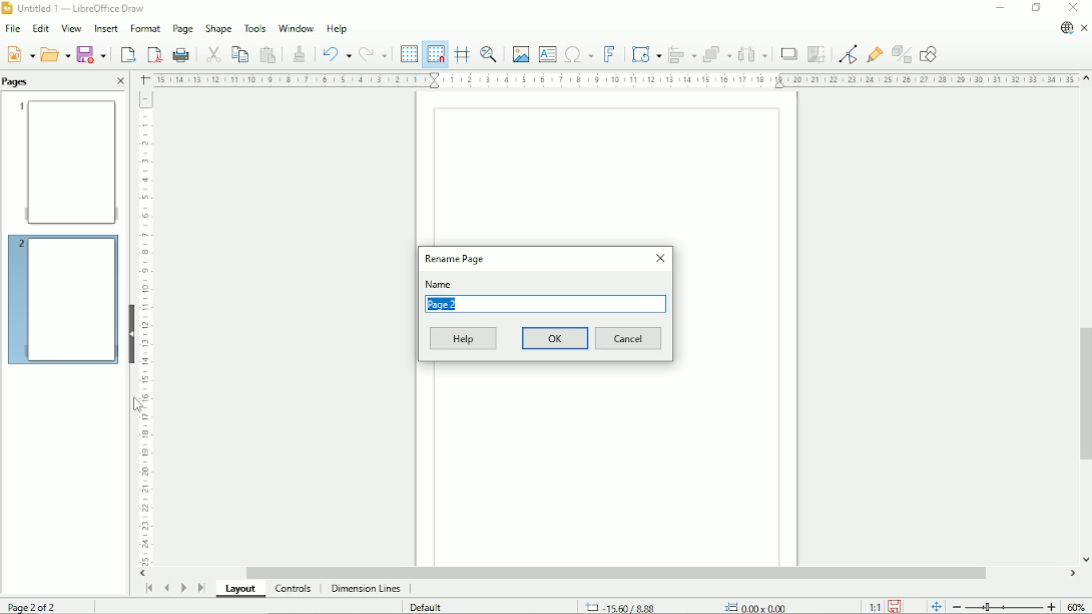  I want to click on Insert fontwork text, so click(610, 53).